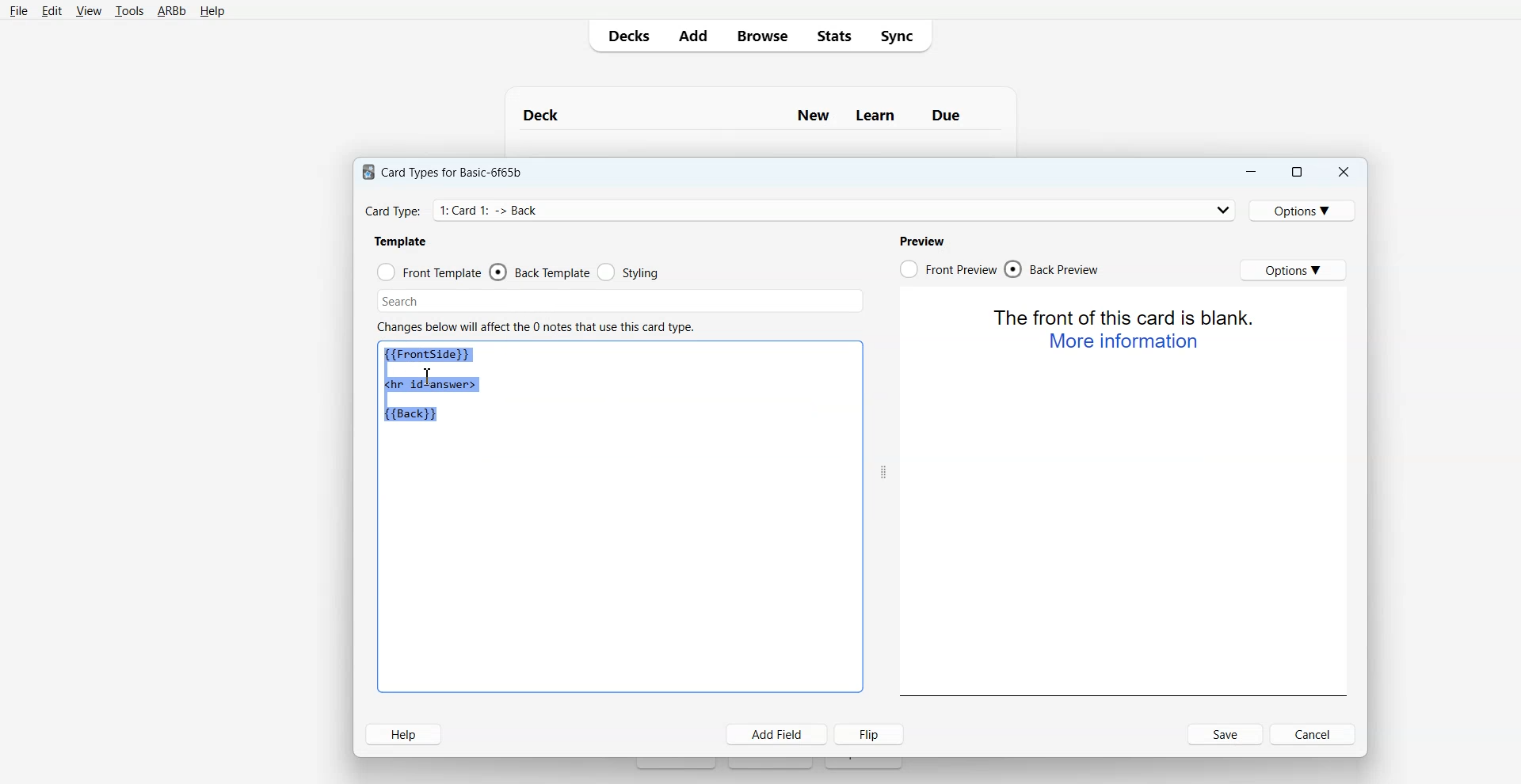  What do you see at coordinates (1252, 171) in the screenshot?
I see `Minimize` at bounding box center [1252, 171].